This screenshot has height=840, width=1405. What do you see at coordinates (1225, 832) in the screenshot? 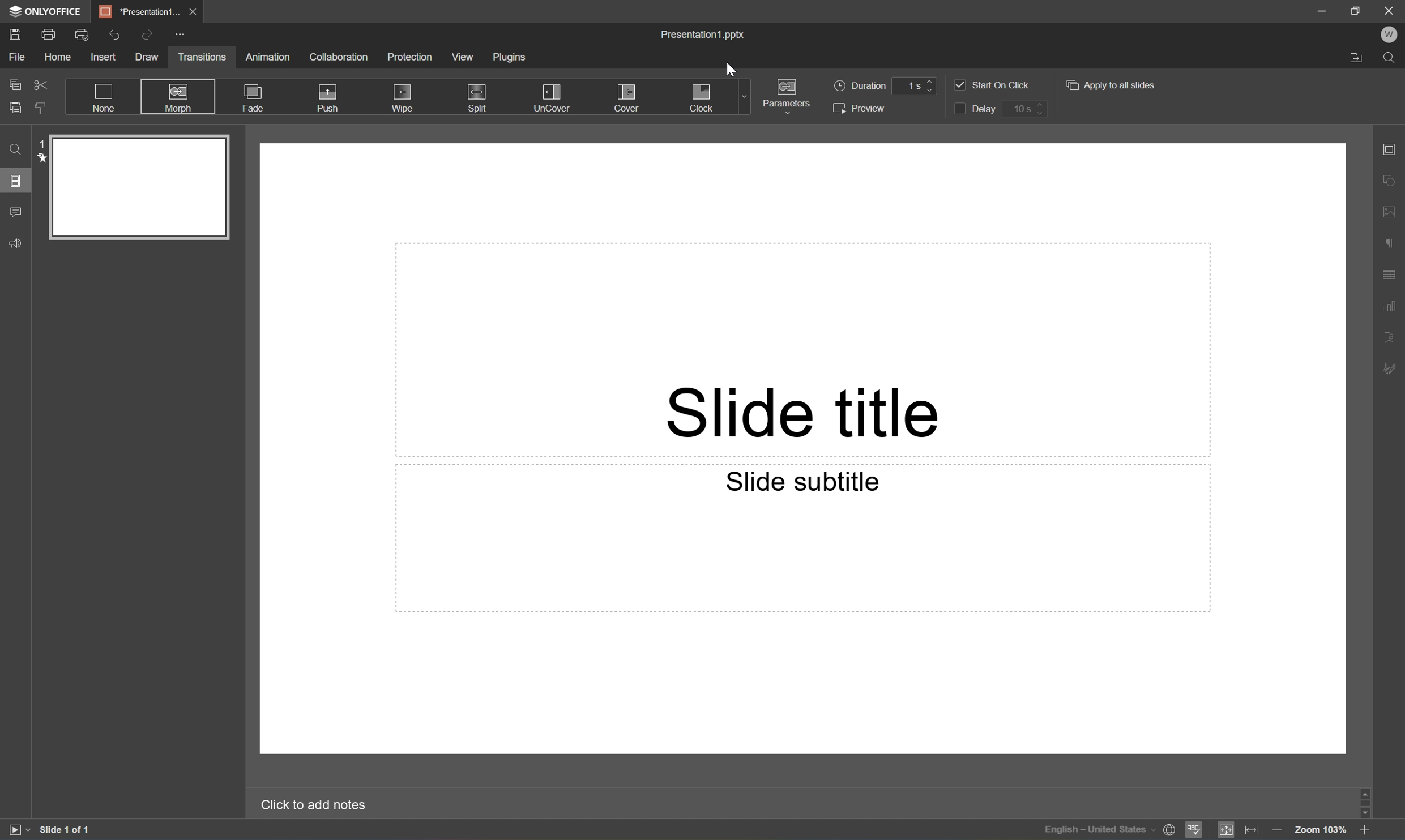
I see `Fit to slide` at bounding box center [1225, 832].